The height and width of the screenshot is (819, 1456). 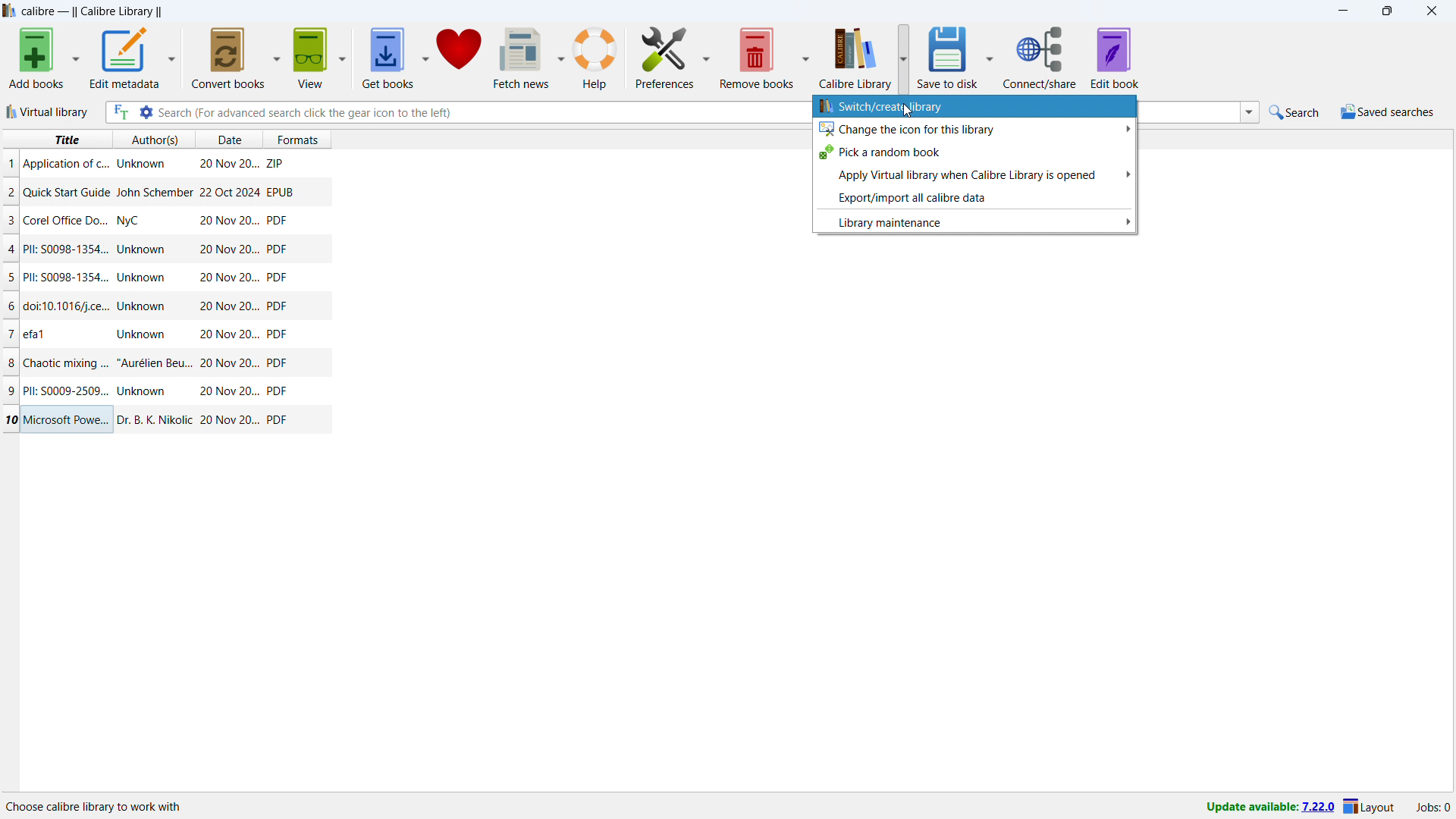 What do you see at coordinates (70, 220) in the screenshot?
I see `Title` at bounding box center [70, 220].